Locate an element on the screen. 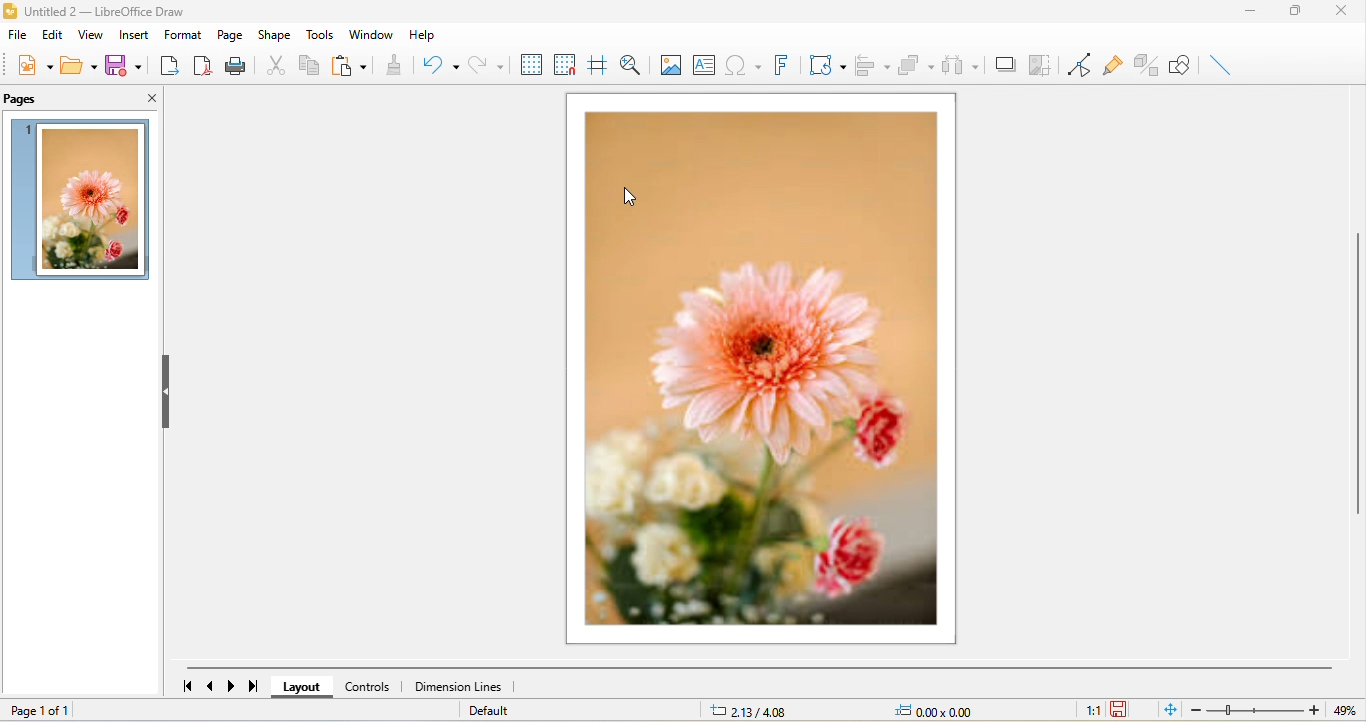 This screenshot has width=1366, height=722. font work text is located at coordinates (780, 64).